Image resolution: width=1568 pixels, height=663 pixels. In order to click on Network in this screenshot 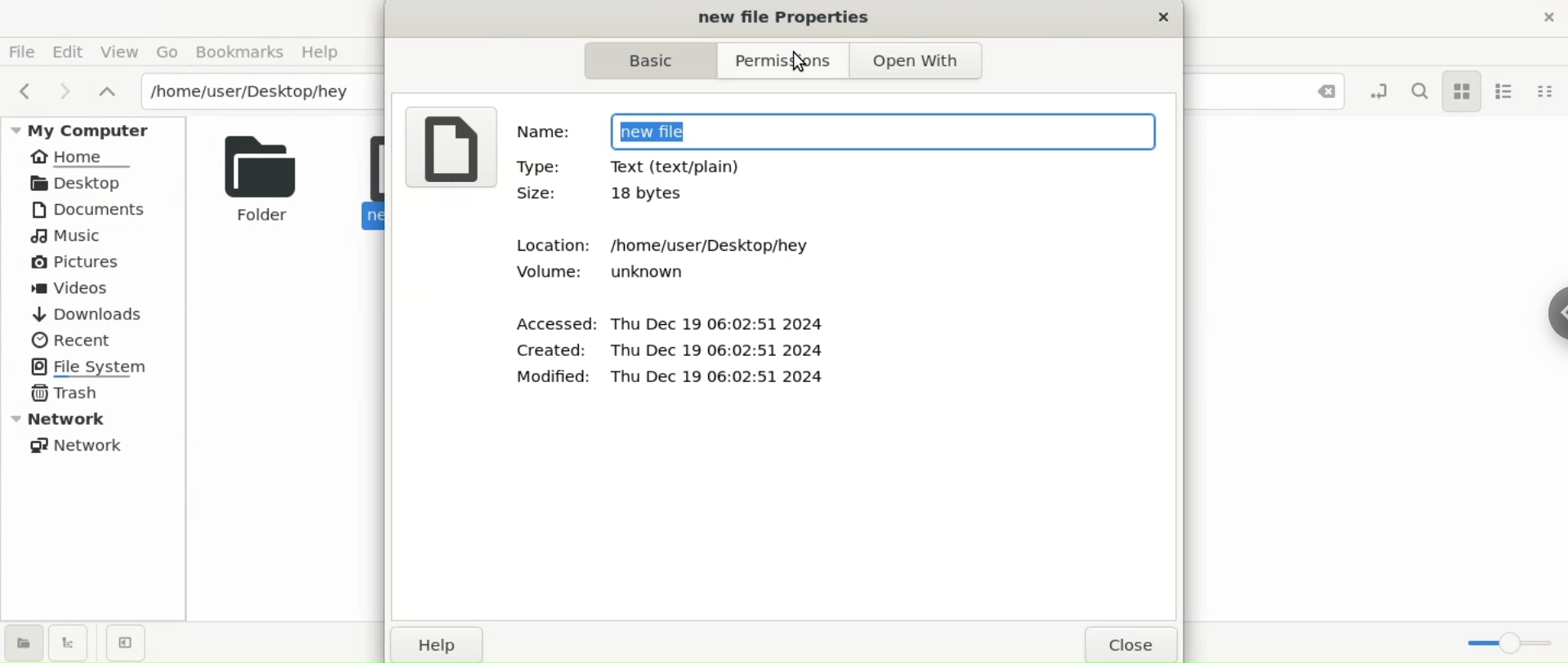, I will do `click(82, 445)`.